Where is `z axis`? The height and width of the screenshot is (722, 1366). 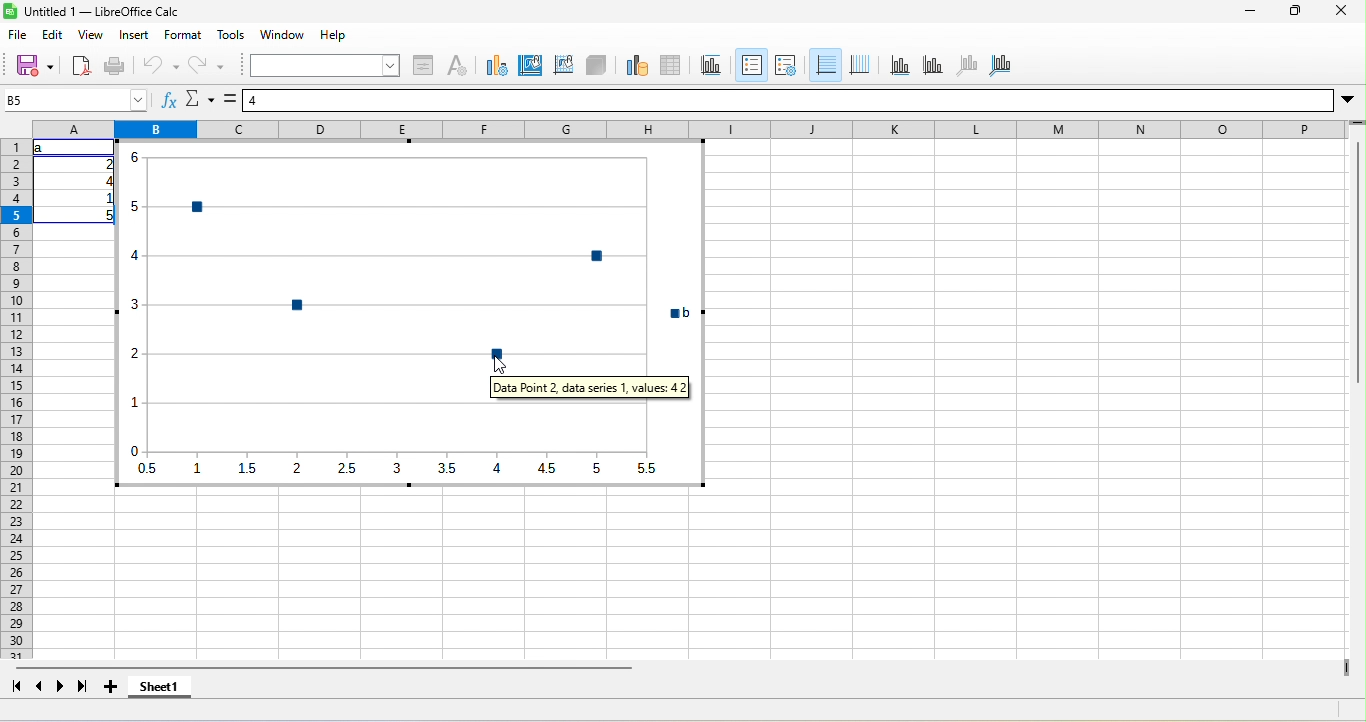 z axis is located at coordinates (968, 67).